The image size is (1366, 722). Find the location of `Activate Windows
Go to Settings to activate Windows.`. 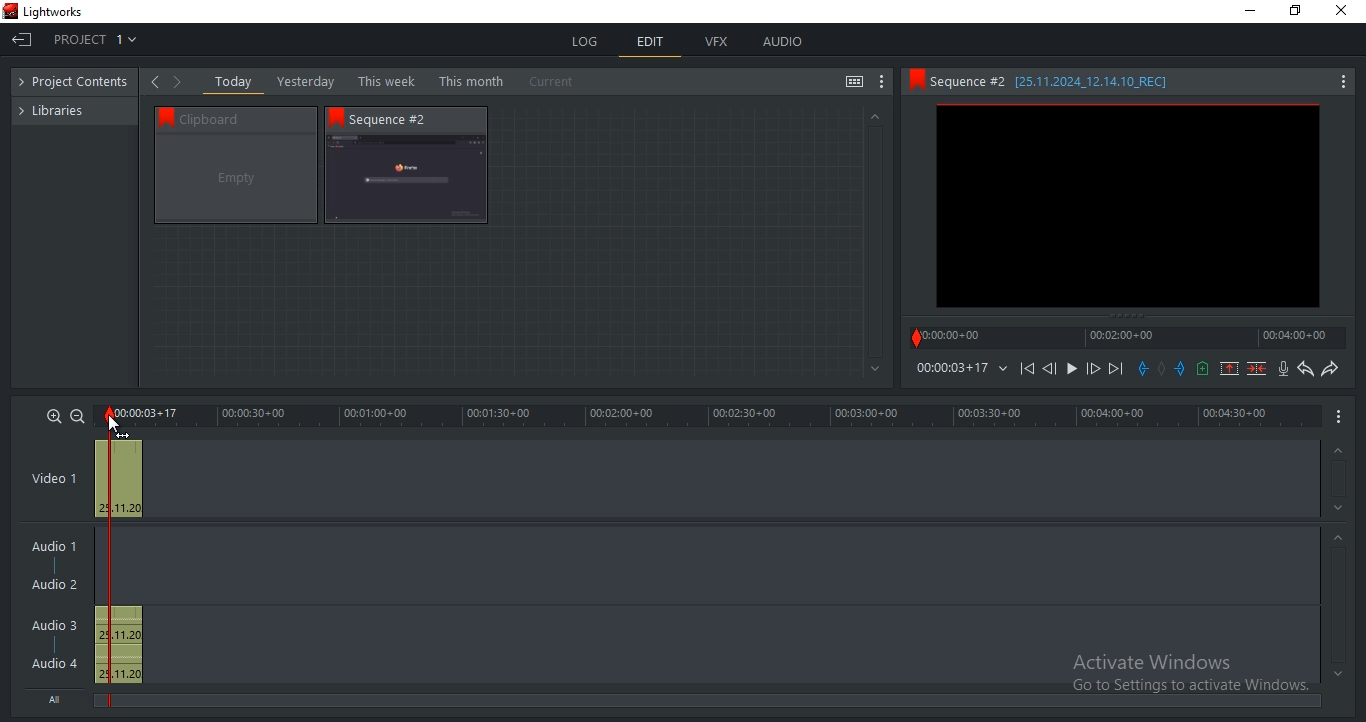

Activate Windows
Go to Settings to activate Windows. is located at coordinates (1190, 675).